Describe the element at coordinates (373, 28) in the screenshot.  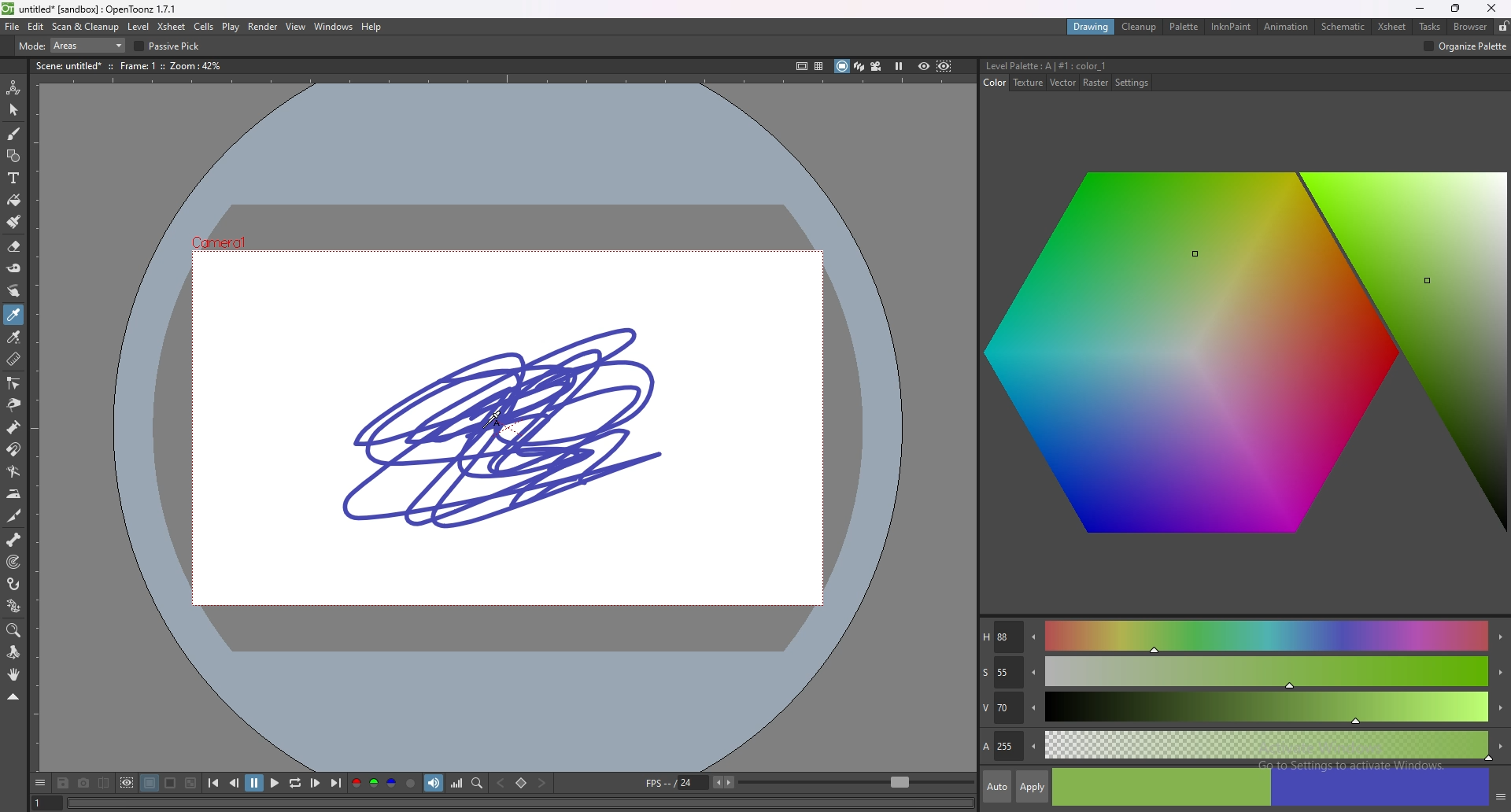
I see `help` at that location.